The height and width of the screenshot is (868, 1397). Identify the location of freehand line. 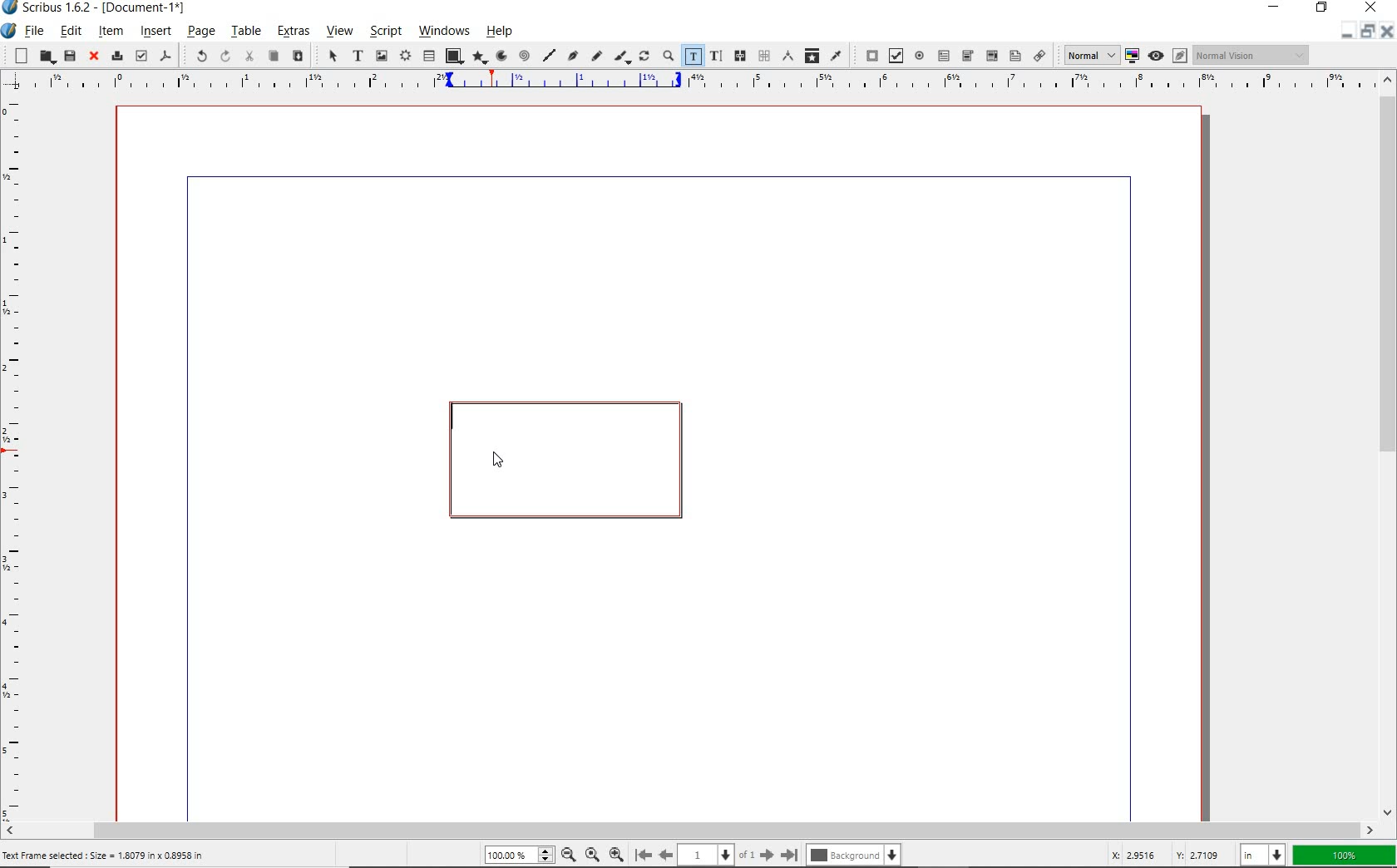
(597, 57).